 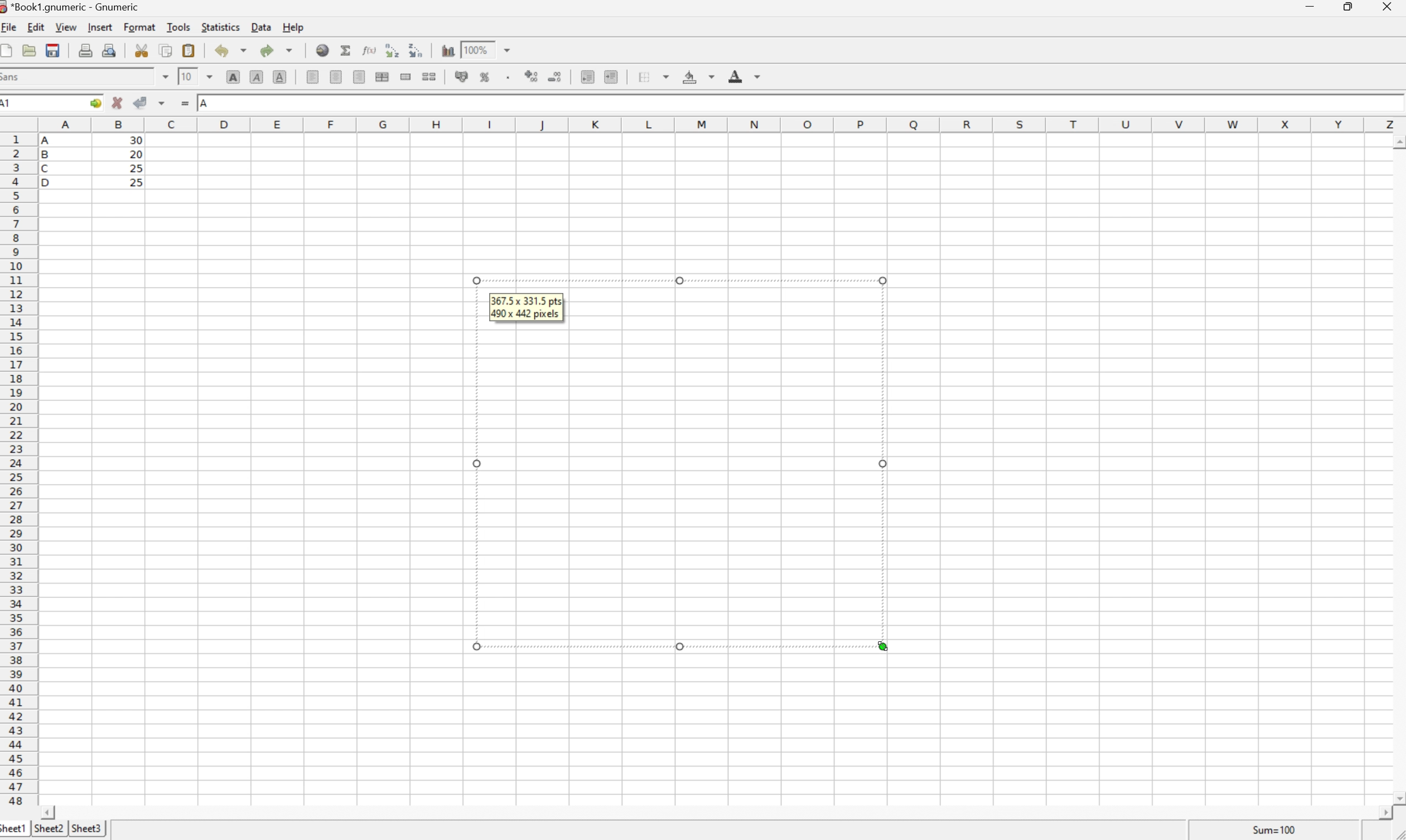 What do you see at coordinates (50, 182) in the screenshot?
I see `D` at bounding box center [50, 182].